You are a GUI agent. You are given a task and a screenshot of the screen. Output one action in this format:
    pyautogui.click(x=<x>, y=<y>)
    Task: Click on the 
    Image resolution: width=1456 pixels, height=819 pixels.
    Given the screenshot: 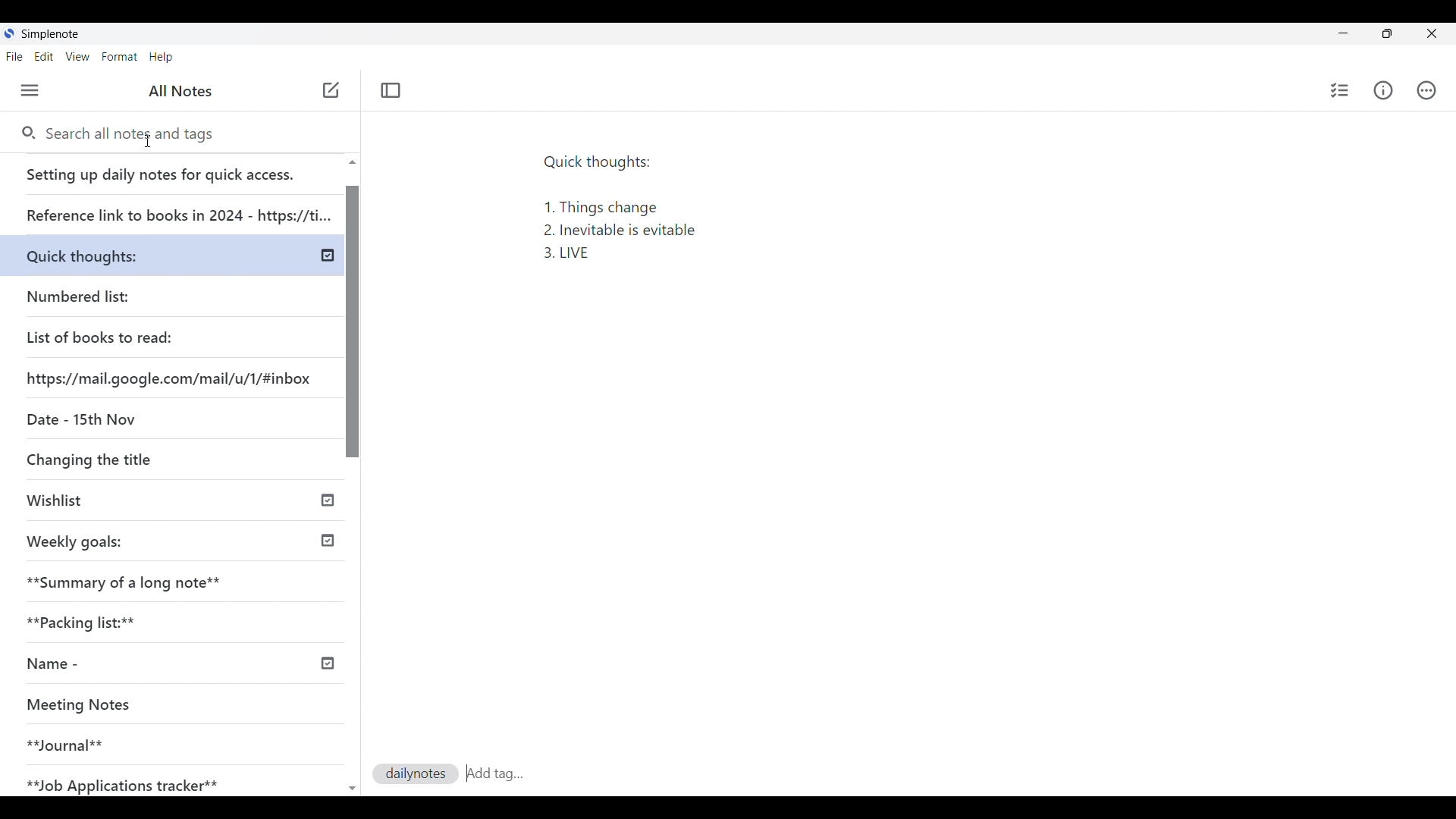 What is the action you would take?
    pyautogui.click(x=548, y=872)
    